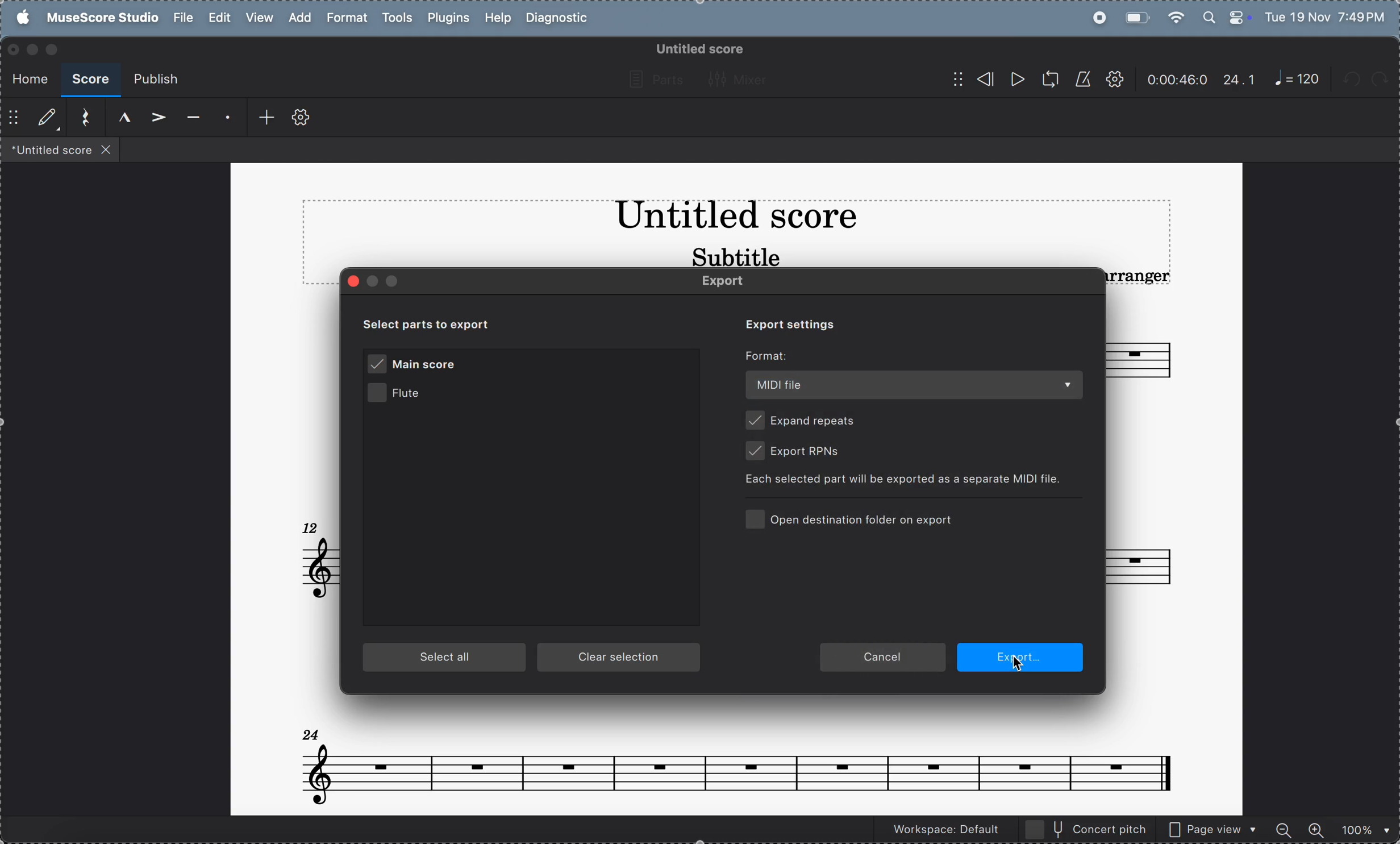 This screenshot has height=844, width=1400. What do you see at coordinates (1362, 829) in the screenshot?
I see `zoom percentage` at bounding box center [1362, 829].